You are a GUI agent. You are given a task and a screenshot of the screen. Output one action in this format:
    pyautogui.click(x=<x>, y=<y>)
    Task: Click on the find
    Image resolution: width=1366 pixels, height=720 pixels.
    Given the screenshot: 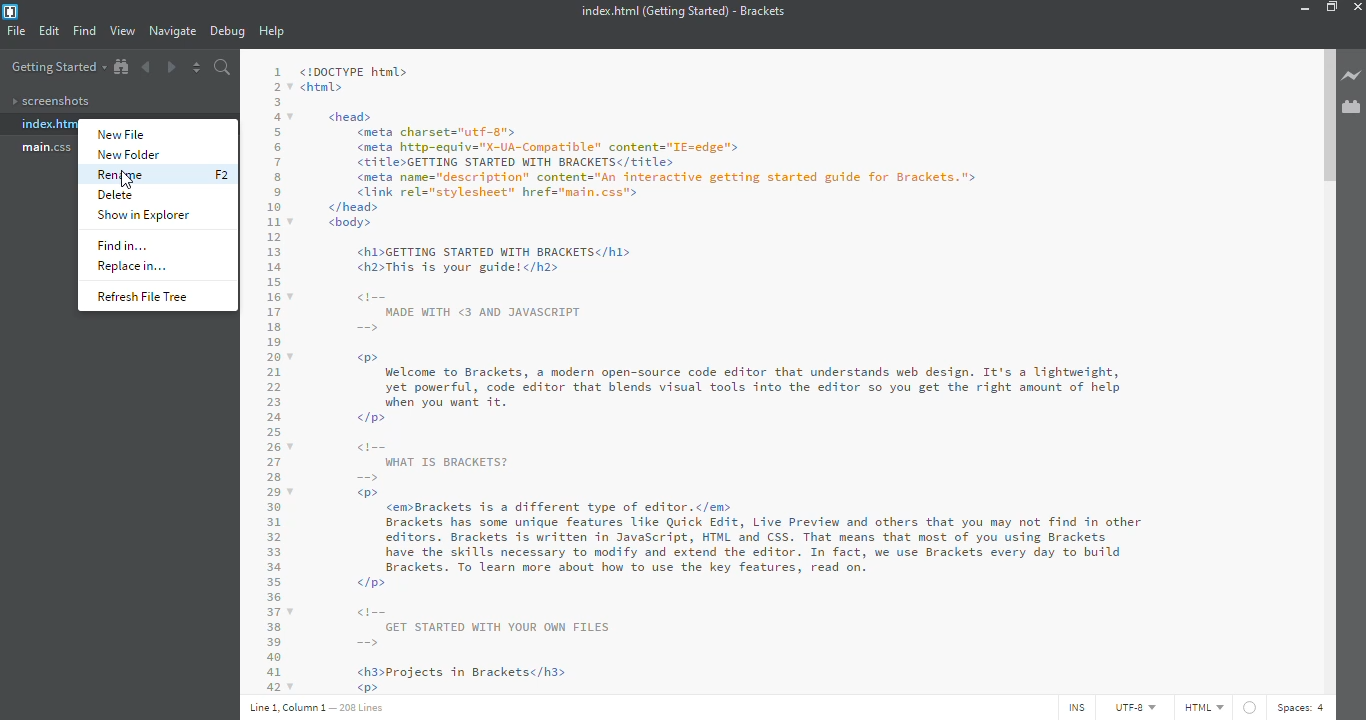 What is the action you would take?
    pyautogui.click(x=85, y=30)
    